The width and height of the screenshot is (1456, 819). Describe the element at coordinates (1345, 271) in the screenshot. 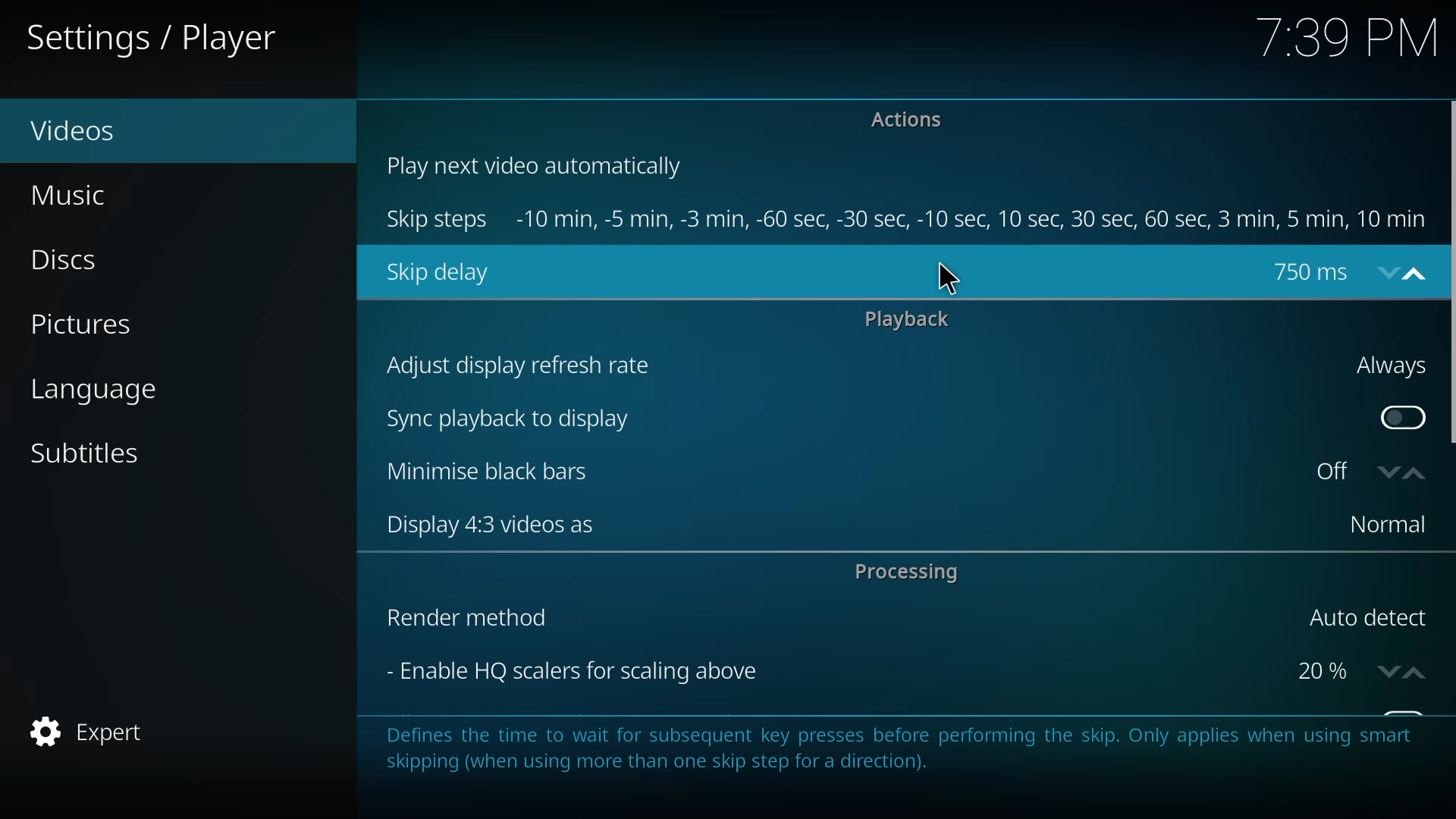

I see `delay select` at that location.